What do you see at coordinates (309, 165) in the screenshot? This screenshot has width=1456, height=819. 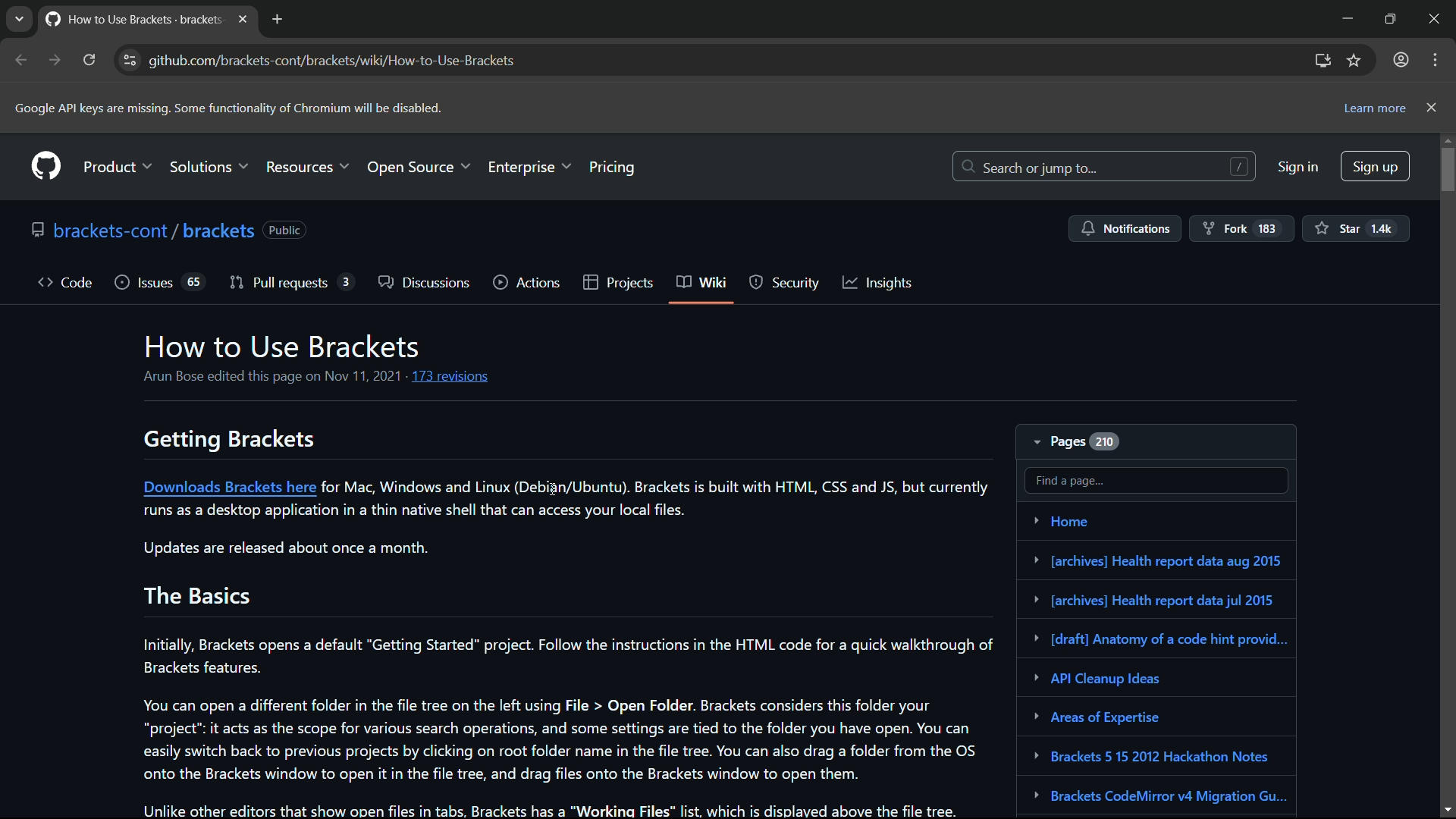 I see `resources` at bounding box center [309, 165].